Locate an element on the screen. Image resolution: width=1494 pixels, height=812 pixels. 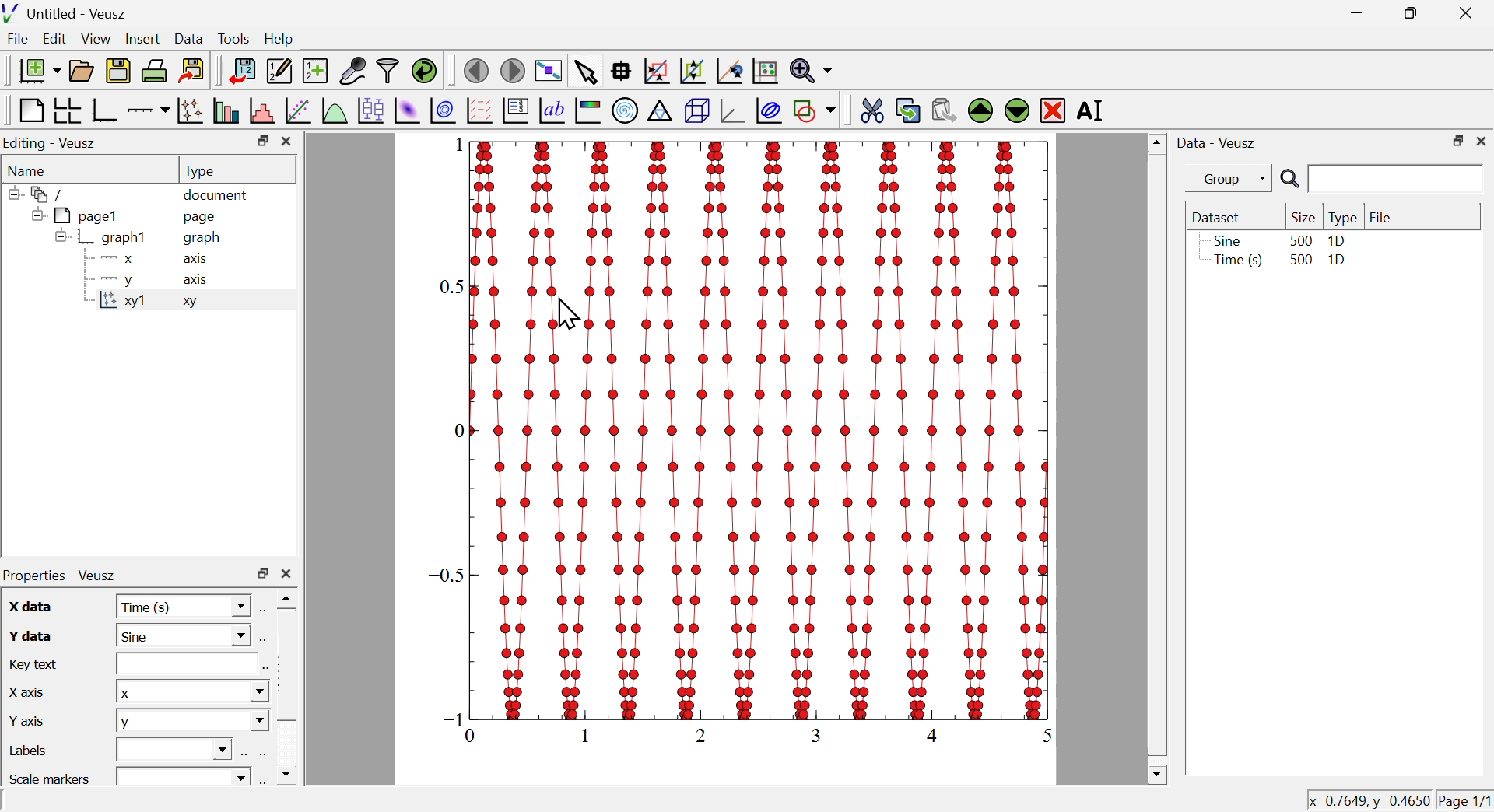
x is located at coordinates (113, 261).